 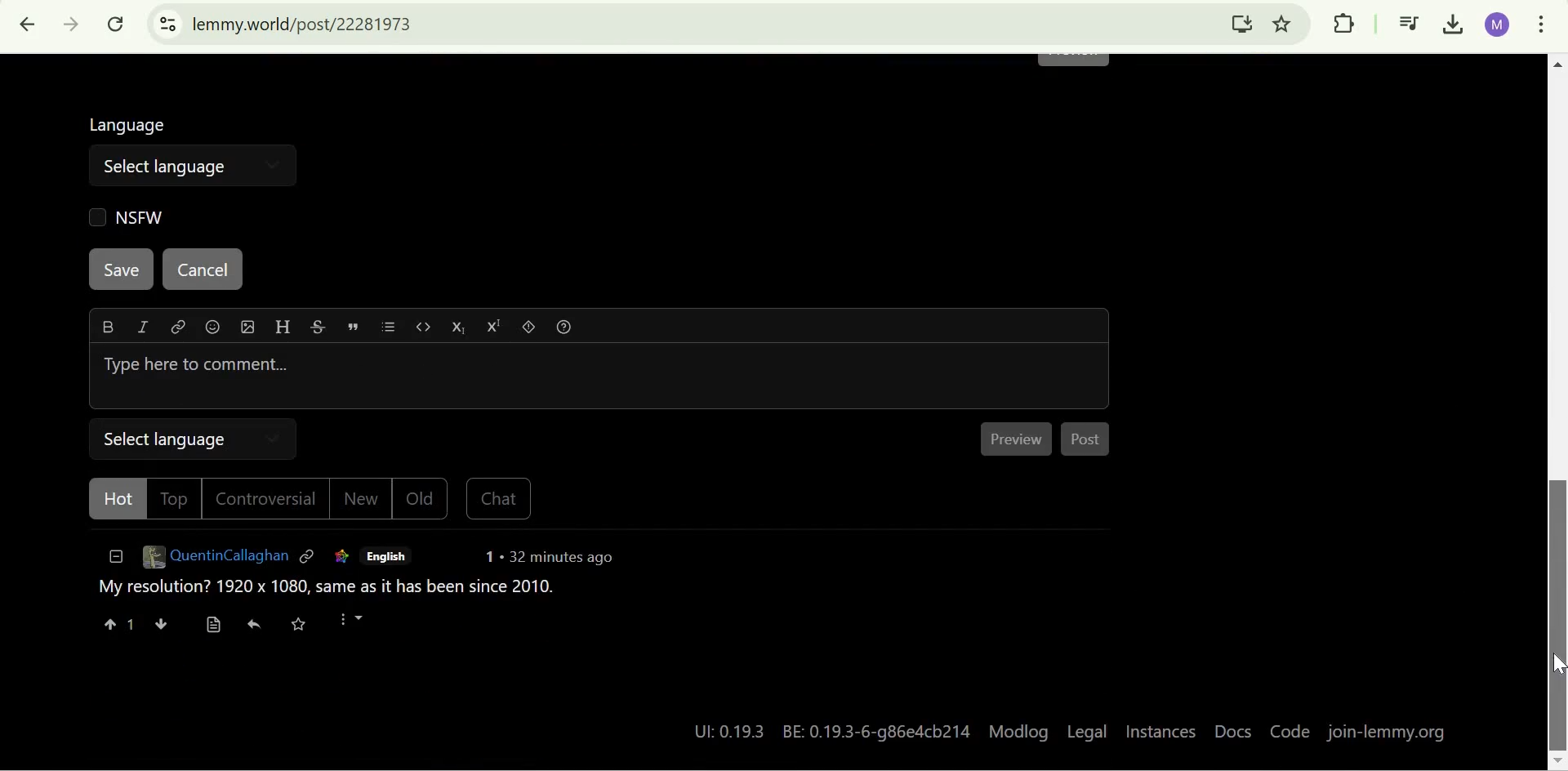 What do you see at coordinates (568, 330) in the screenshot?
I see `formatting help` at bounding box center [568, 330].